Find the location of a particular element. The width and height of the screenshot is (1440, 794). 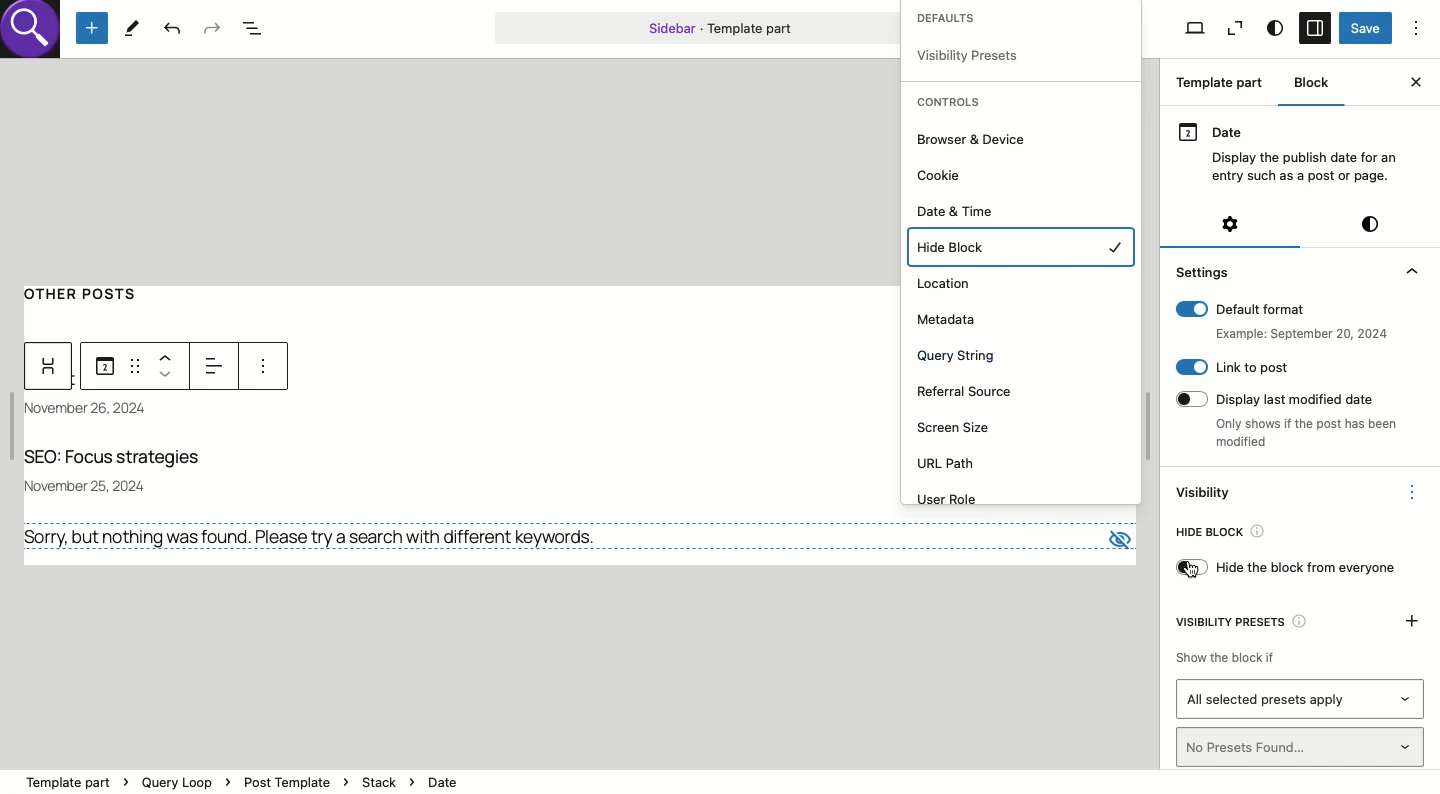

Date is located at coordinates (1292, 151).